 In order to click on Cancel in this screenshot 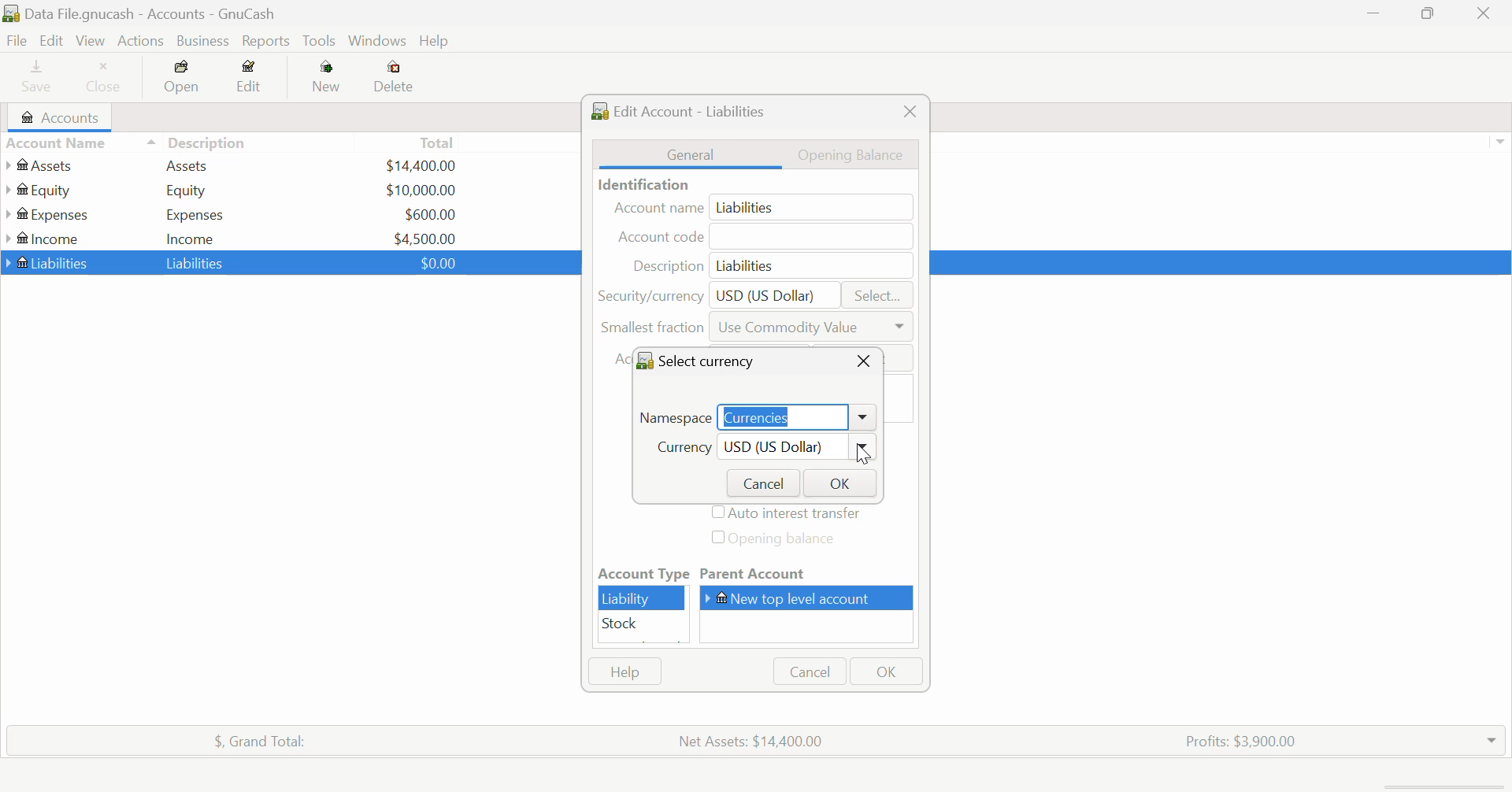, I will do `click(760, 482)`.